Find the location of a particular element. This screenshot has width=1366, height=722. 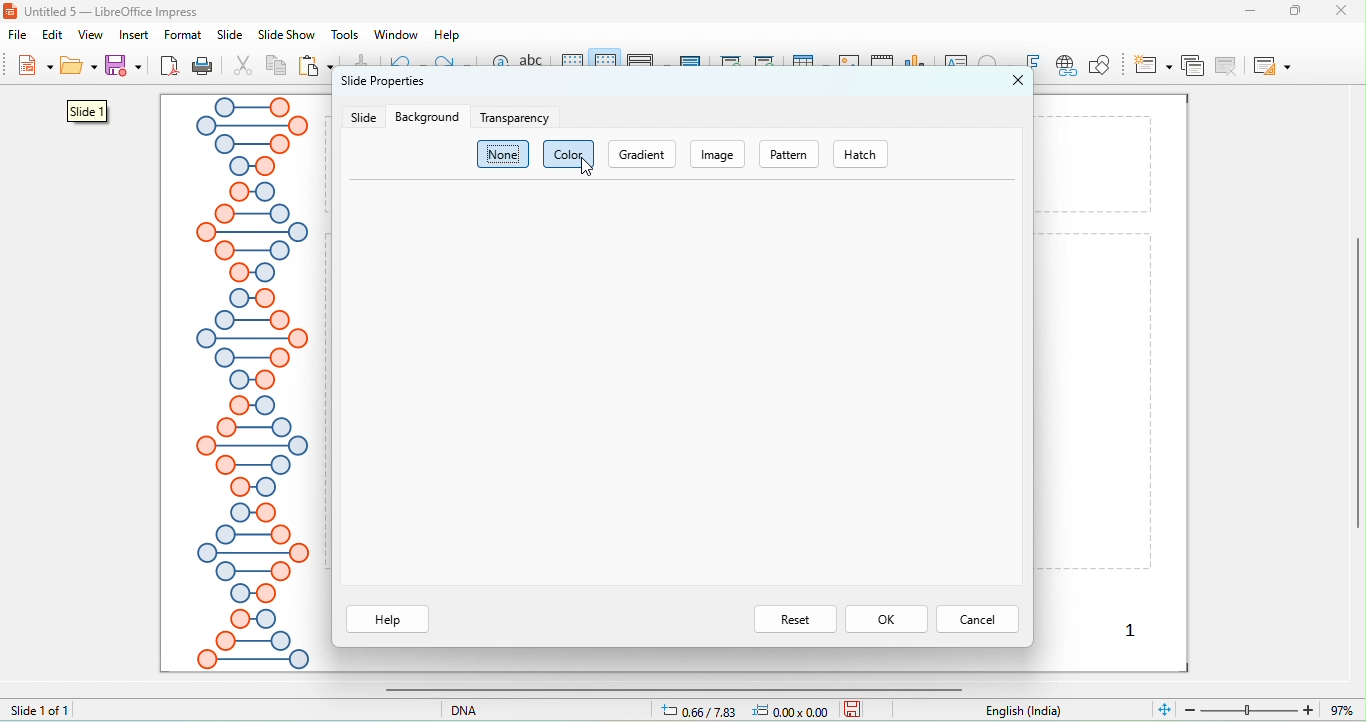

1 is located at coordinates (1130, 633).